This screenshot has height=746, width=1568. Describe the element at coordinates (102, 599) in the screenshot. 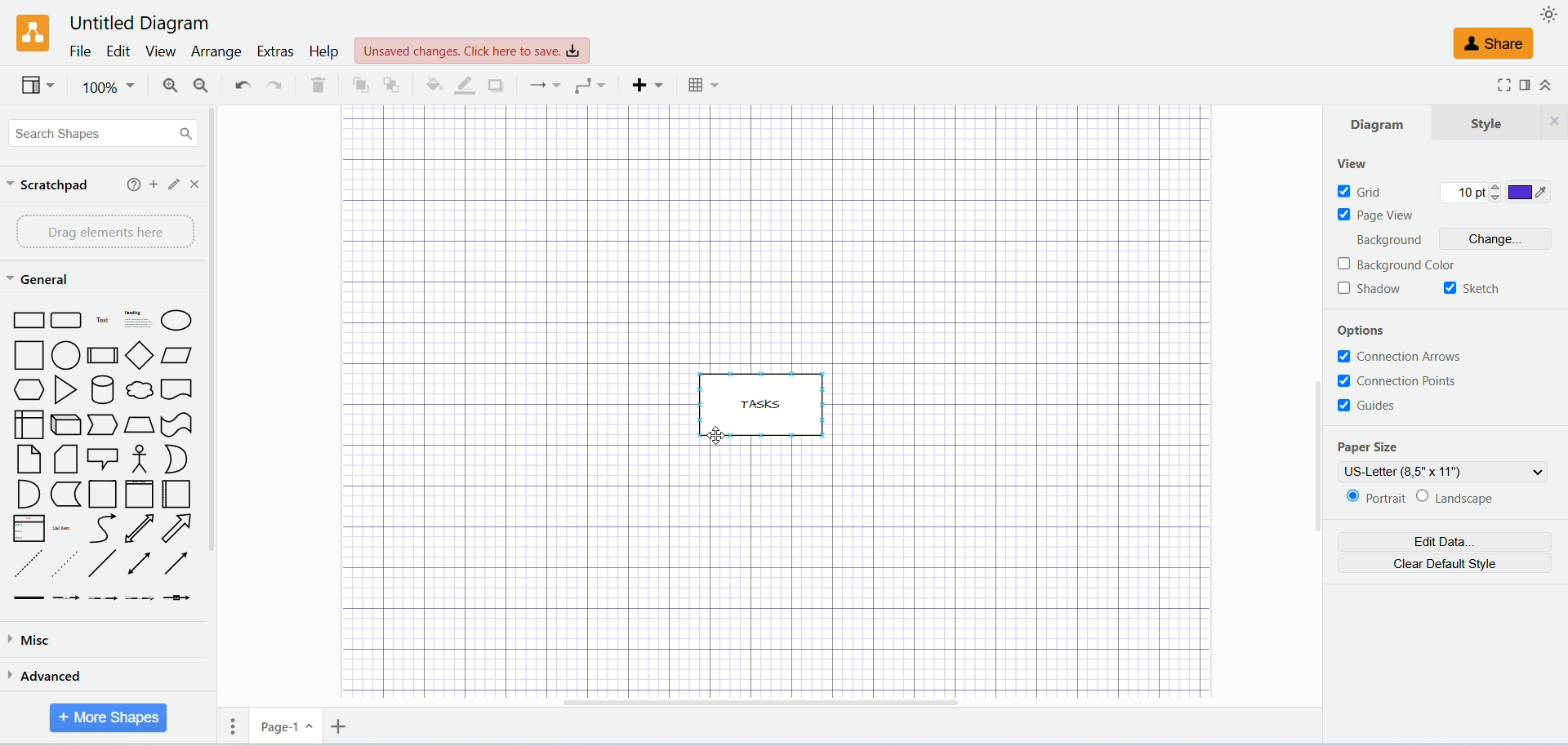

I see `Connector with 2 label` at that location.